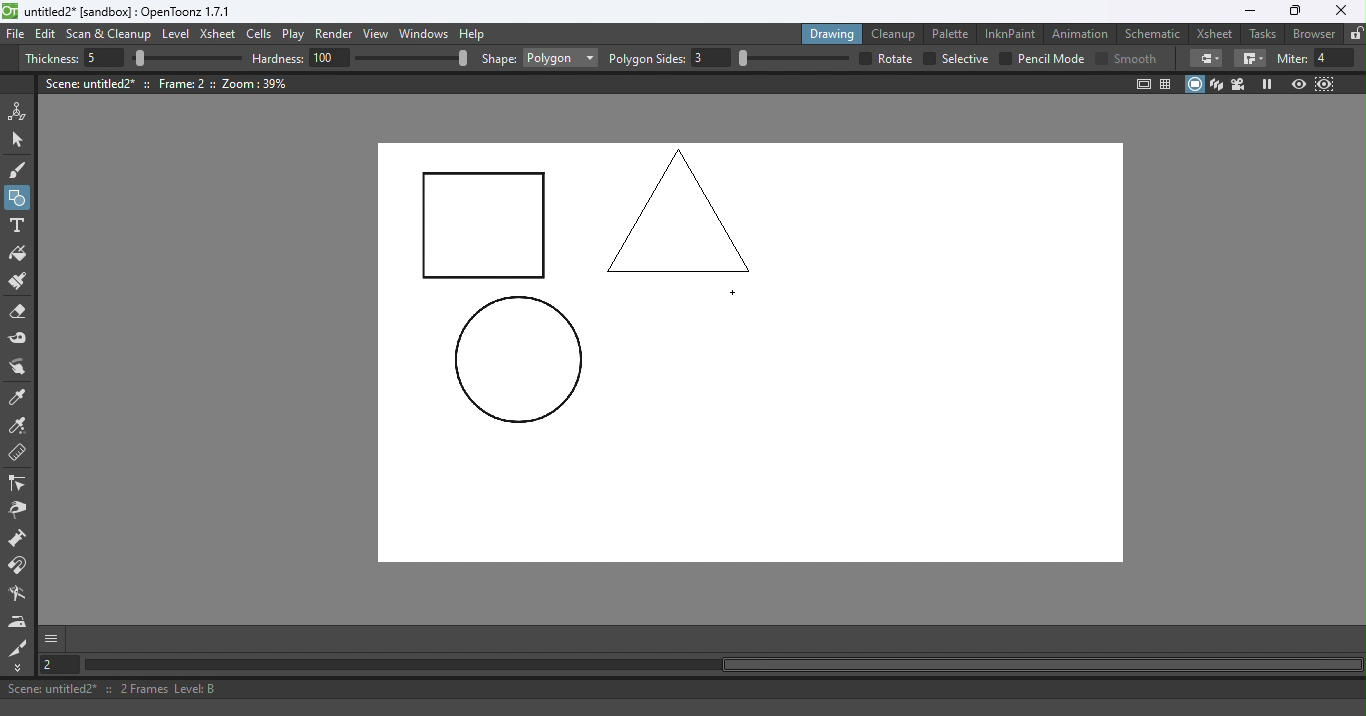 This screenshot has width=1366, height=716. Describe the element at coordinates (560, 58) in the screenshot. I see `Rectangle ` at that location.